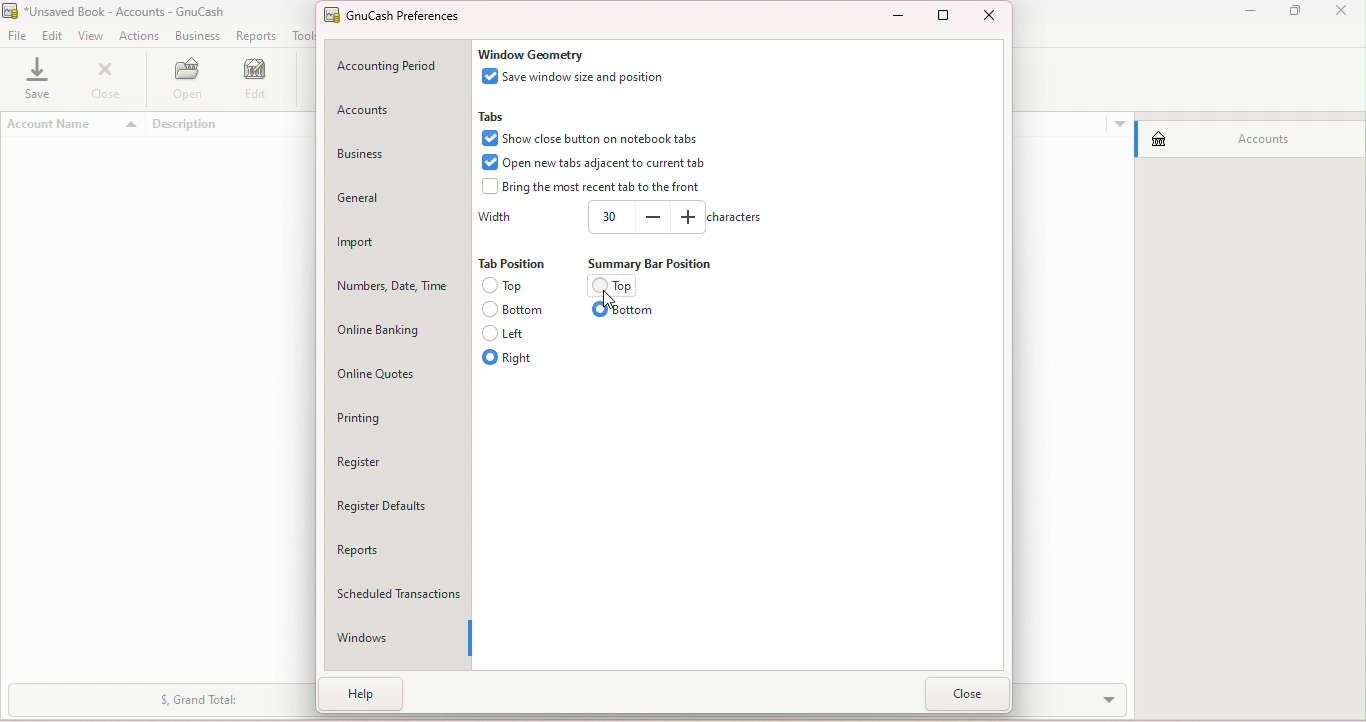  What do you see at coordinates (368, 699) in the screenshot?
I see `Help` at bounding box center [368, 699].